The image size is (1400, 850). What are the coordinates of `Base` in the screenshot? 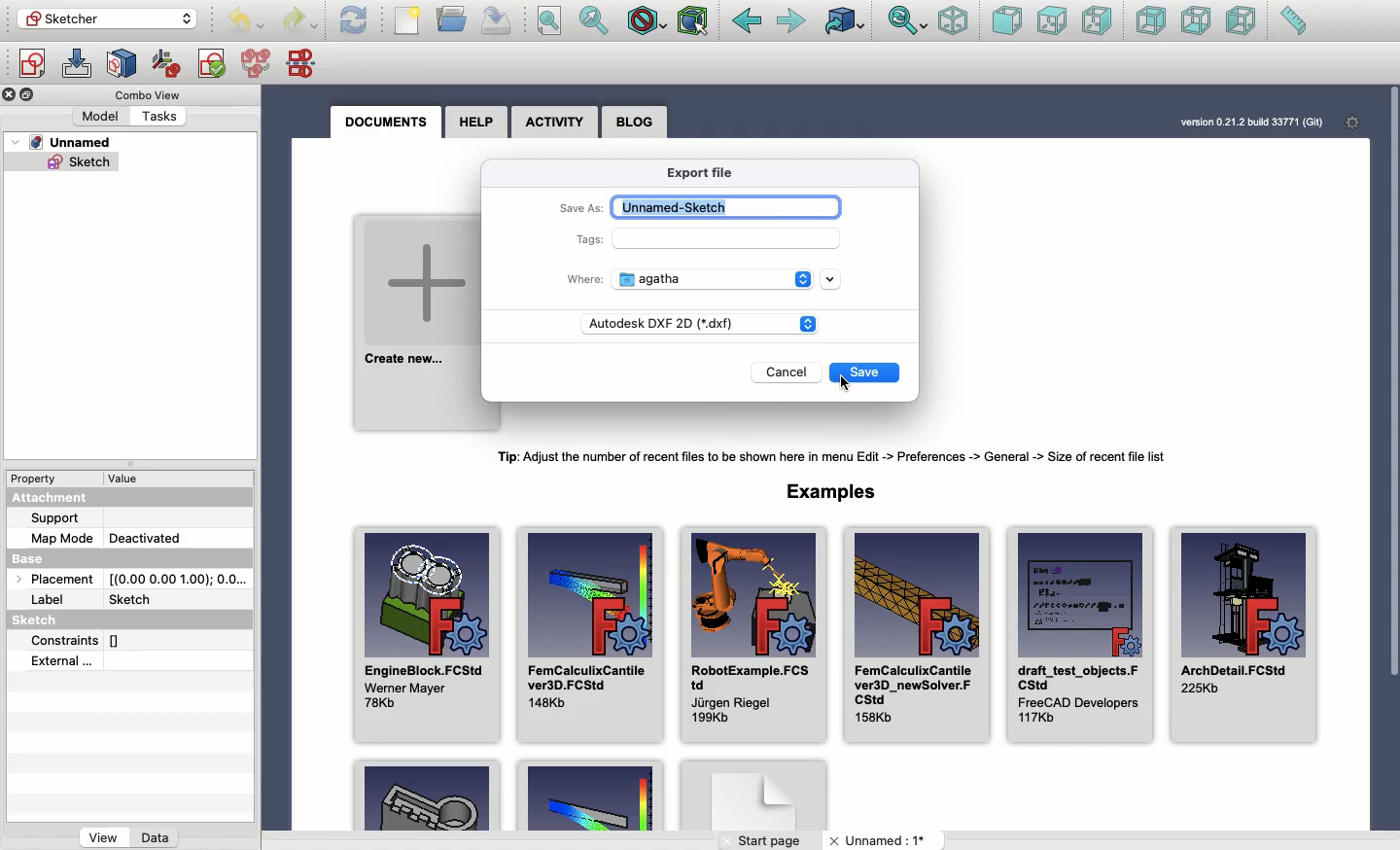 It's located at (34, 560).